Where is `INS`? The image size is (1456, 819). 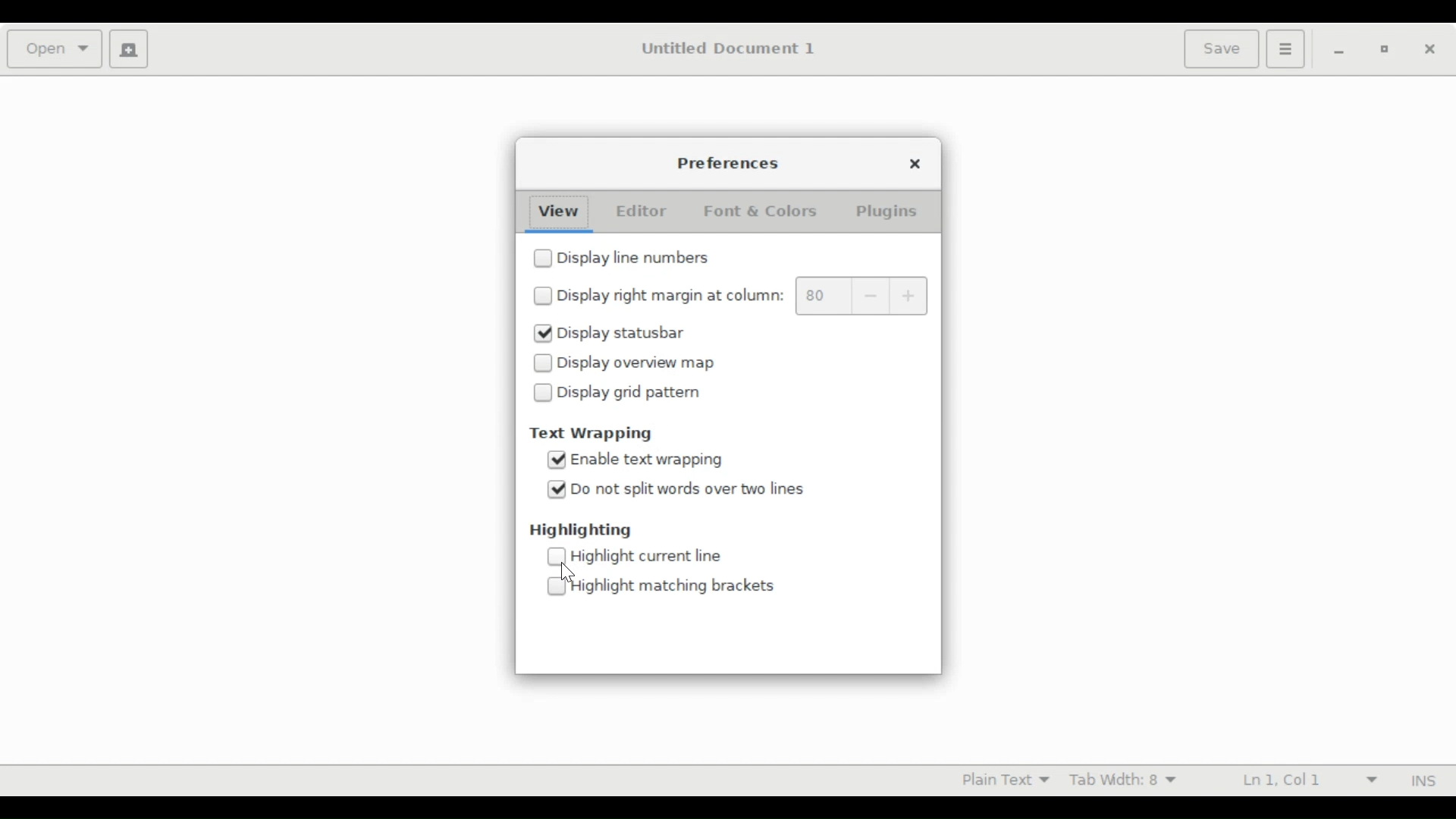 INS is located at coordinates (1422, 781).